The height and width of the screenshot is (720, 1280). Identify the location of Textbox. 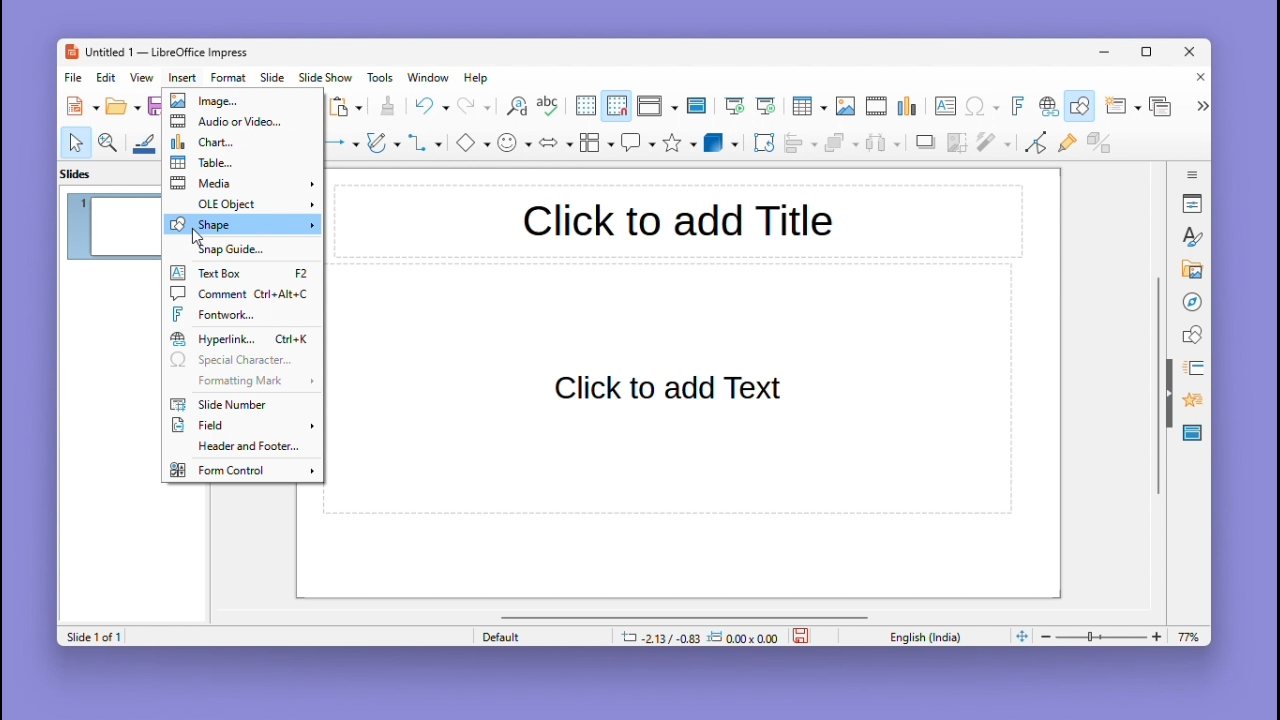
(242, 274).